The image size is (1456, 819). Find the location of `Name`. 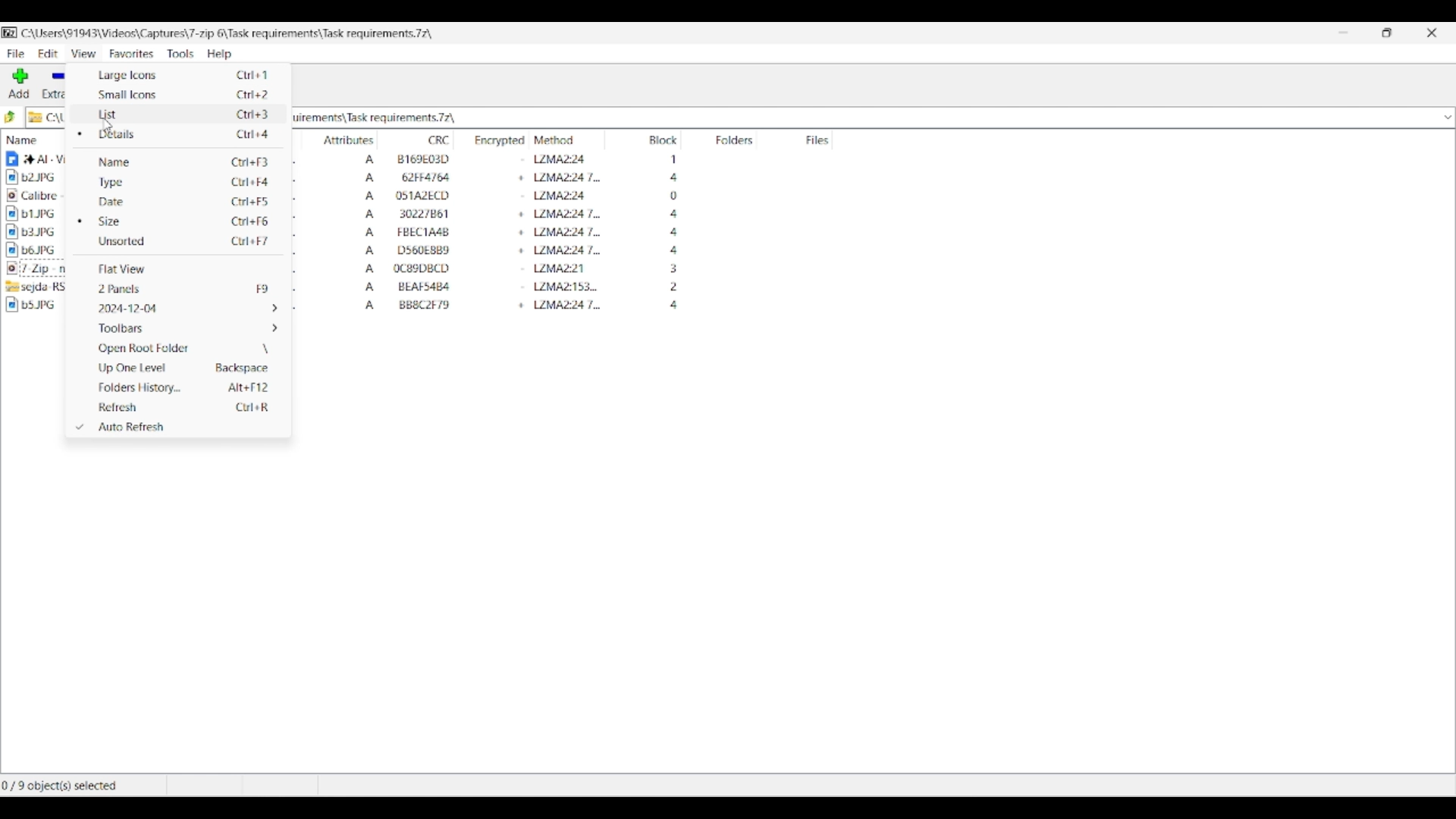

Name is located at coordinates (185, 162).